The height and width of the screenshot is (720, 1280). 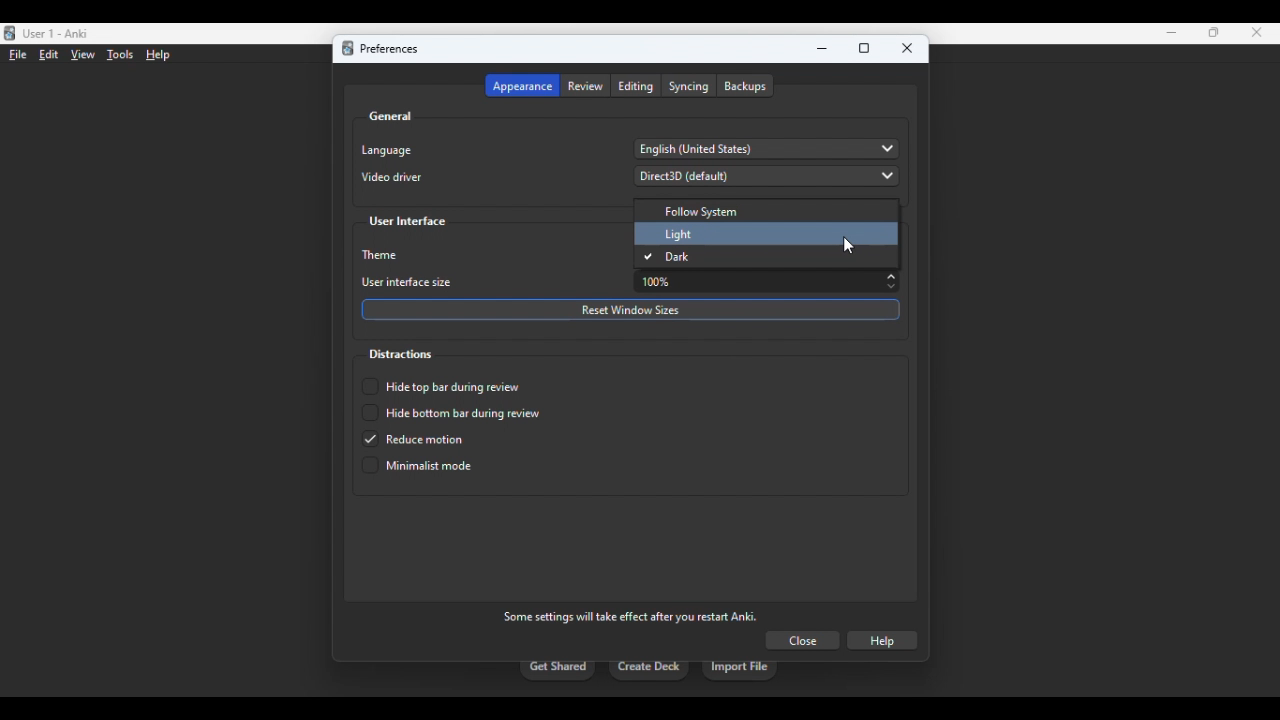 What do you see at coordinates (823, 49) in the screenshot?
I see `minimize` at bounding box center [823, 49].